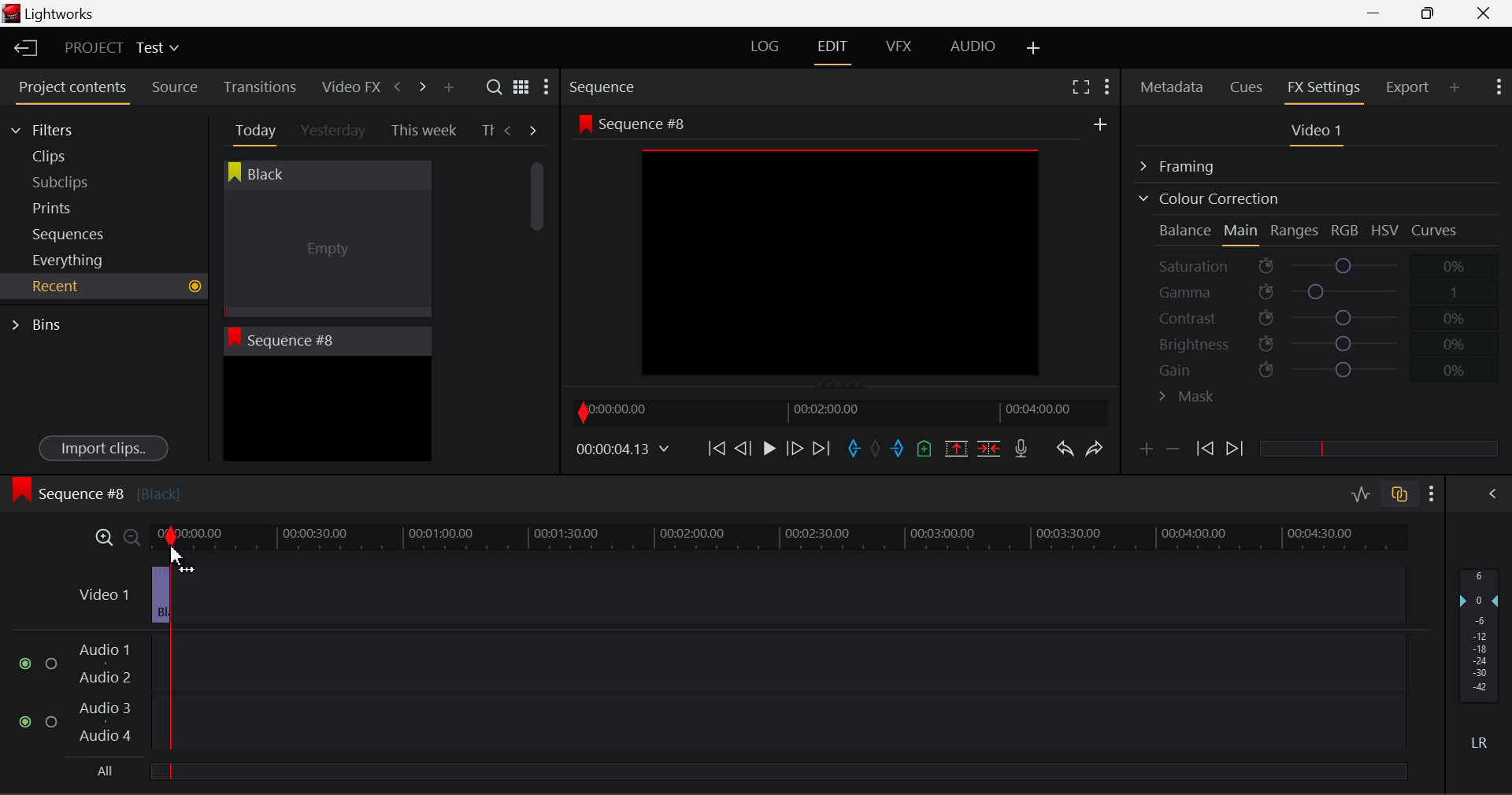 This screenshot has height=795, width=1512. Describe the element at coordinates (835, 50) in the screenshot. I see `EDIT Layout` at that location.